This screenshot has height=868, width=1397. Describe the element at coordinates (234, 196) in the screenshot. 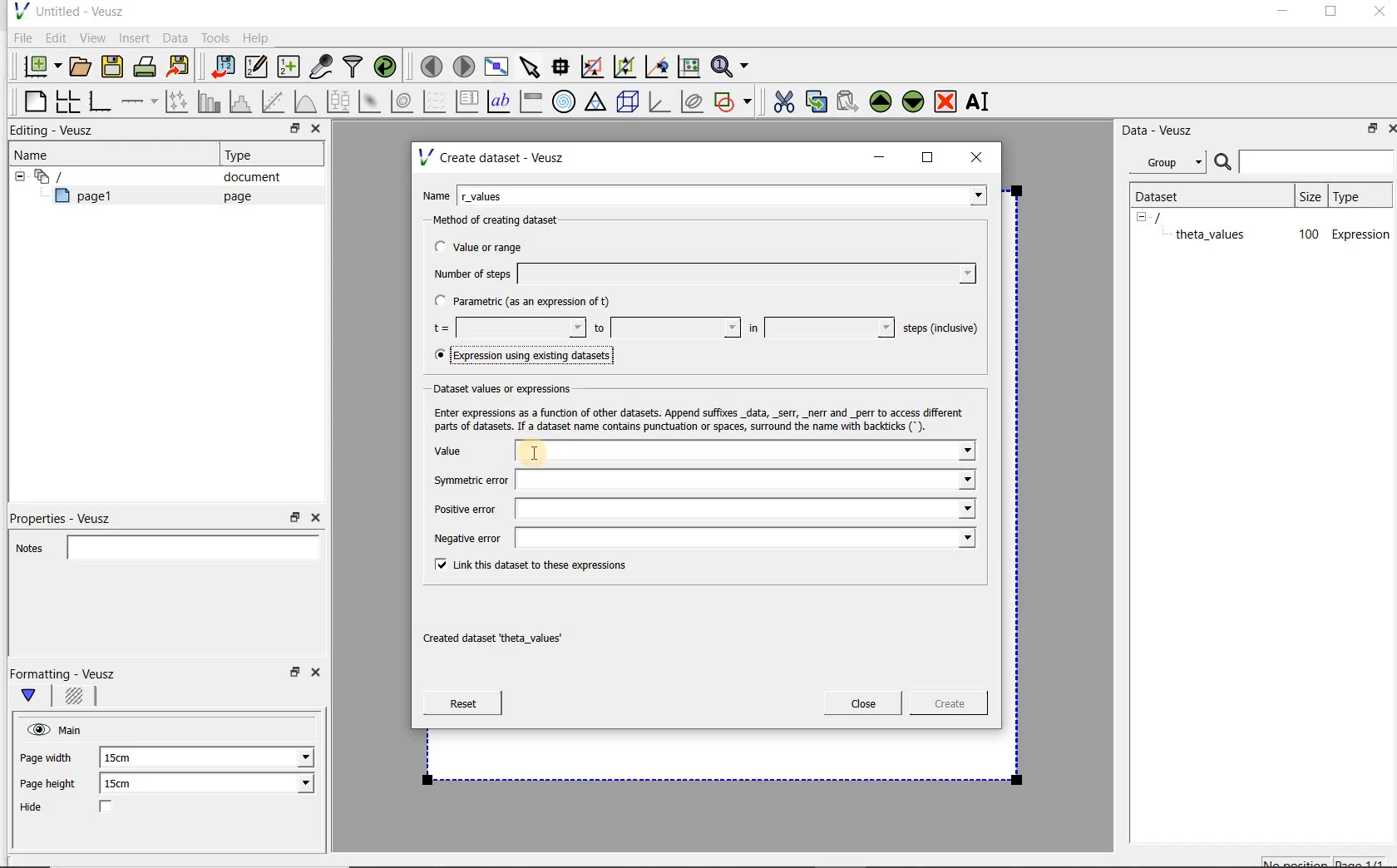

I see `page` at that location.